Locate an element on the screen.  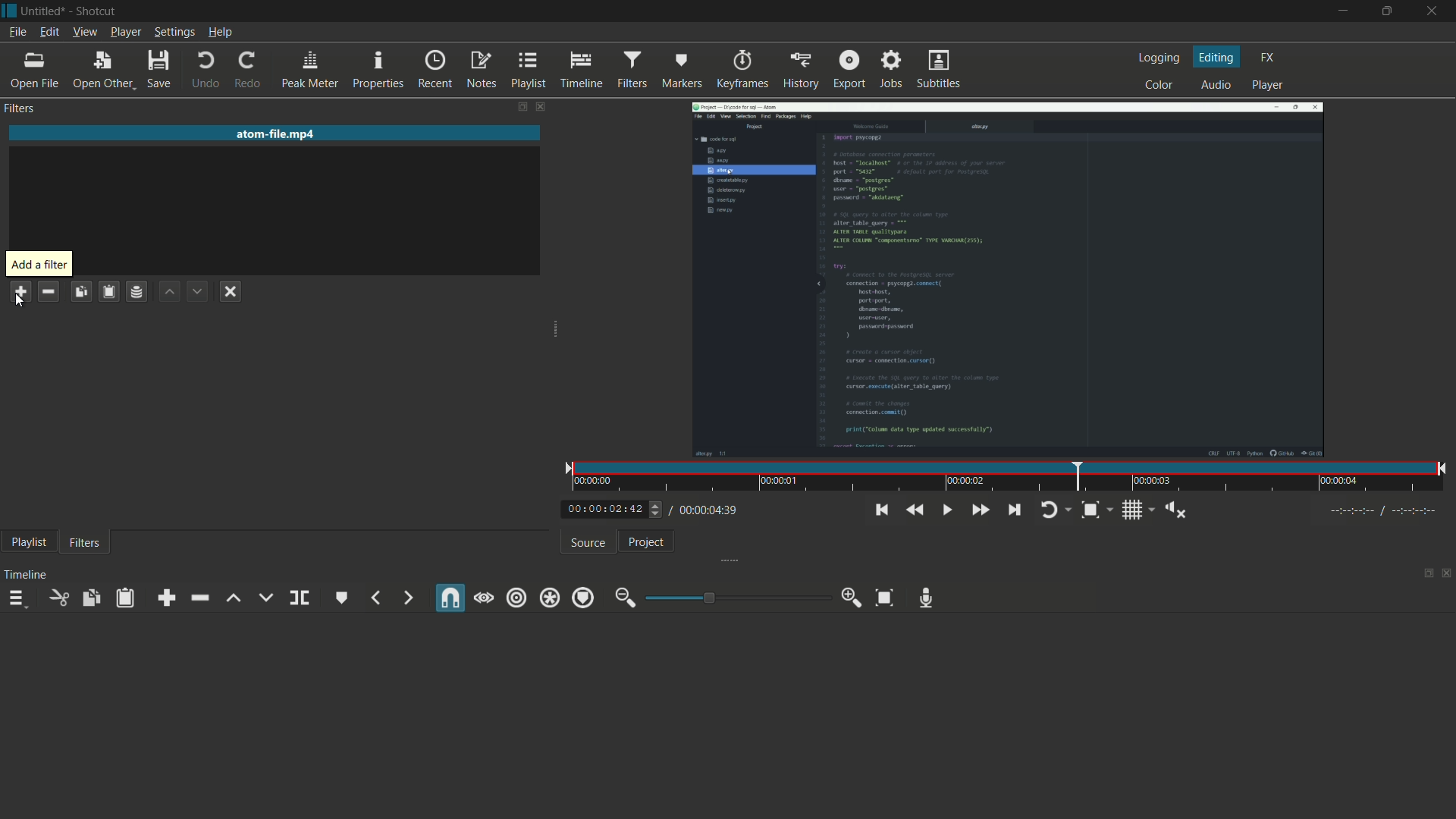
quickly play backward is located at coordinates (912, 510).